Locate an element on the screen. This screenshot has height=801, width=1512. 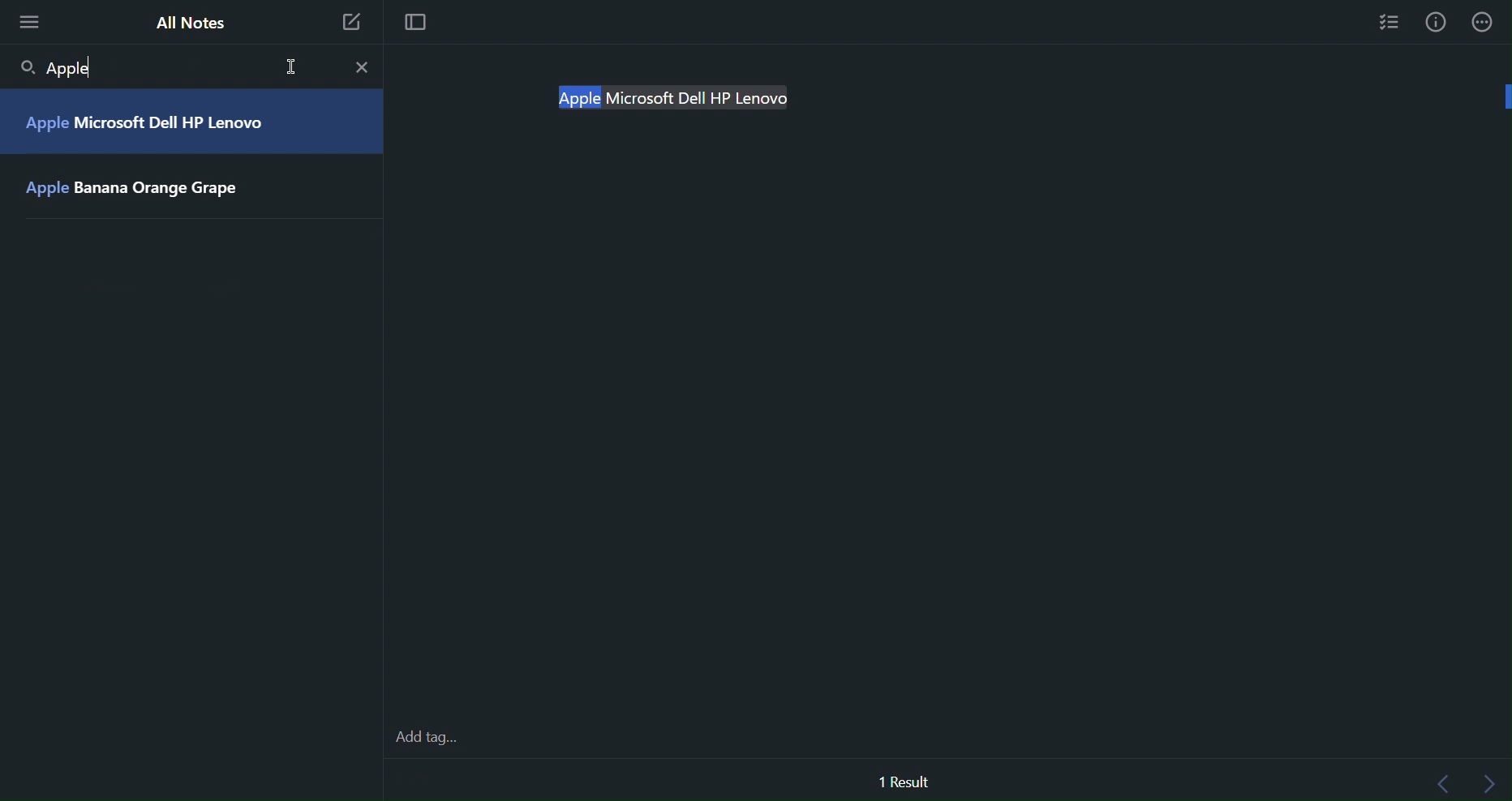
Checklist is located at coordinates (1389, 22).